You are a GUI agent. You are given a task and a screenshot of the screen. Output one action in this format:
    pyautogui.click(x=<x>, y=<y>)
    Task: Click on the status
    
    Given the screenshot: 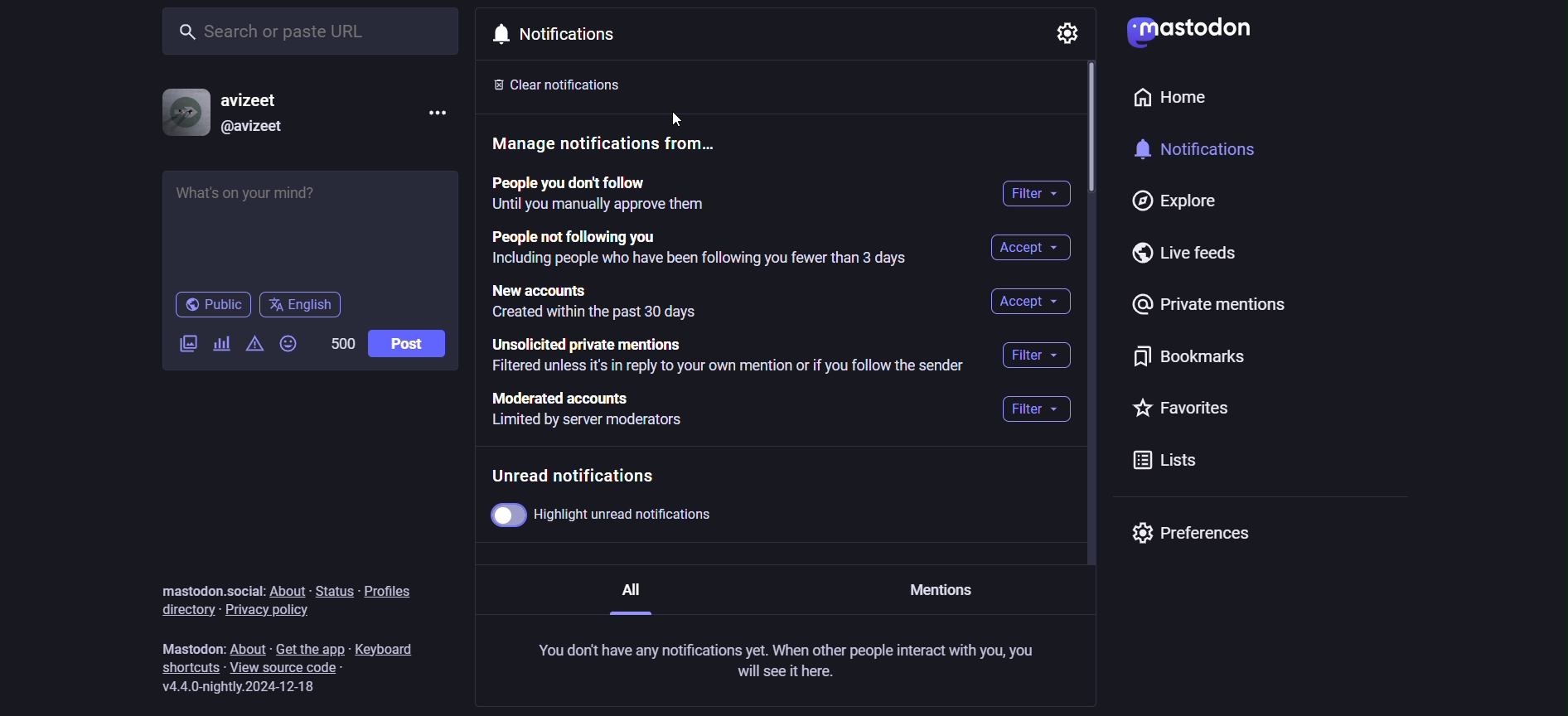 What is the action you would take?
    pyautogui.click(x=332, y=591)
    